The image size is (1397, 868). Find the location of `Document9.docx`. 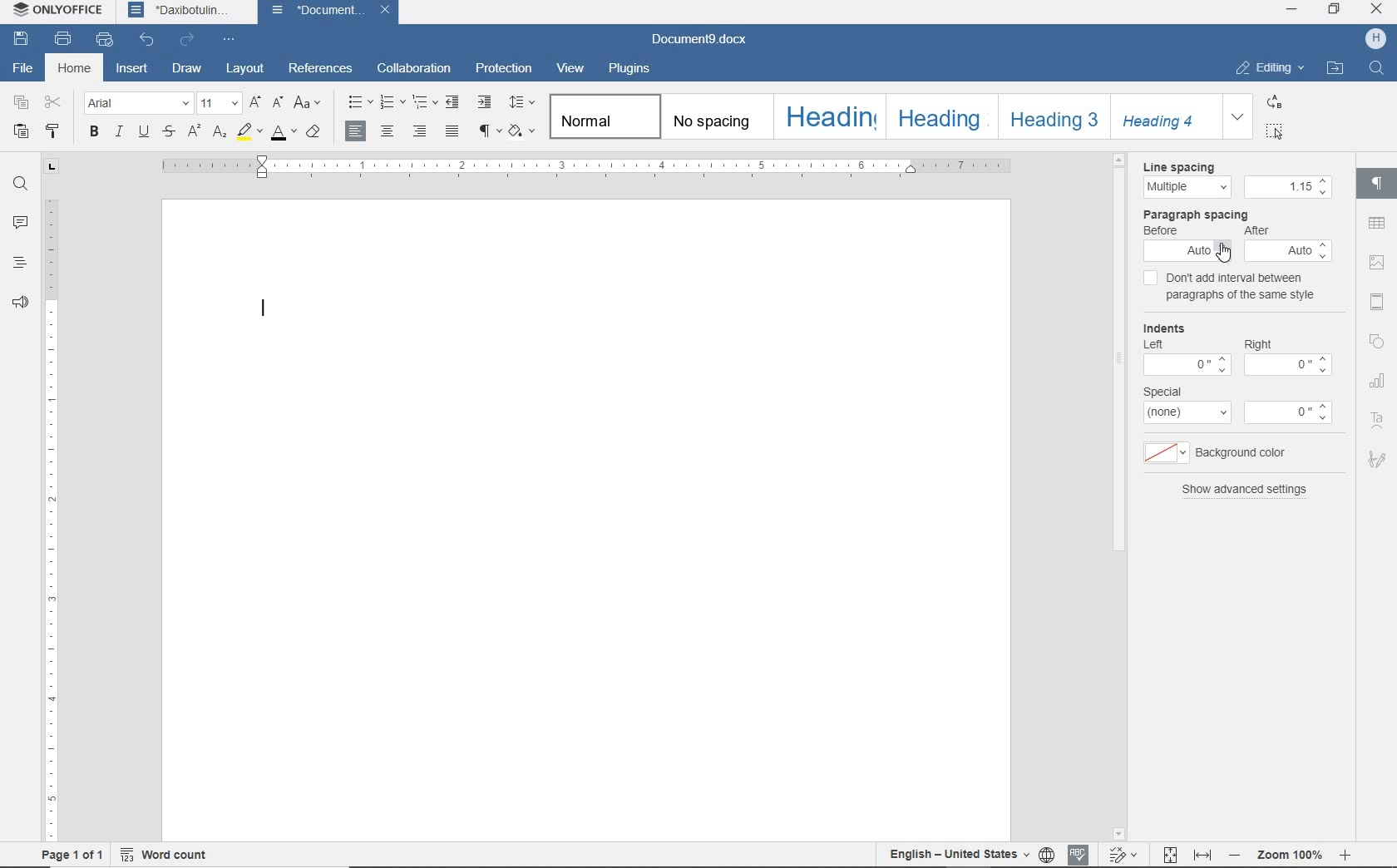

Document9.docx is located at coordinates (698, 40).